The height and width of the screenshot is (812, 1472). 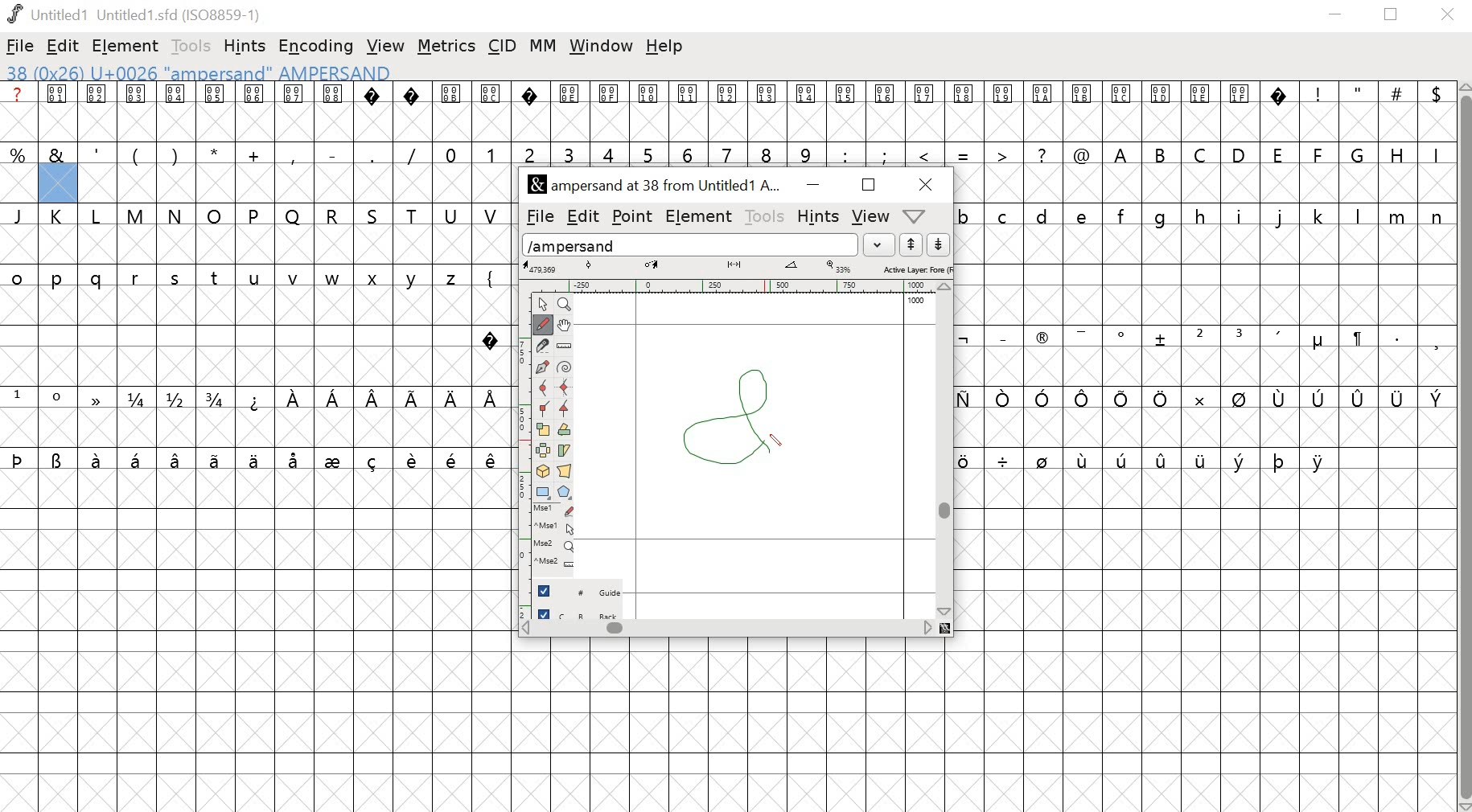 I want to click on 001D, so click(x=1162, y=112).